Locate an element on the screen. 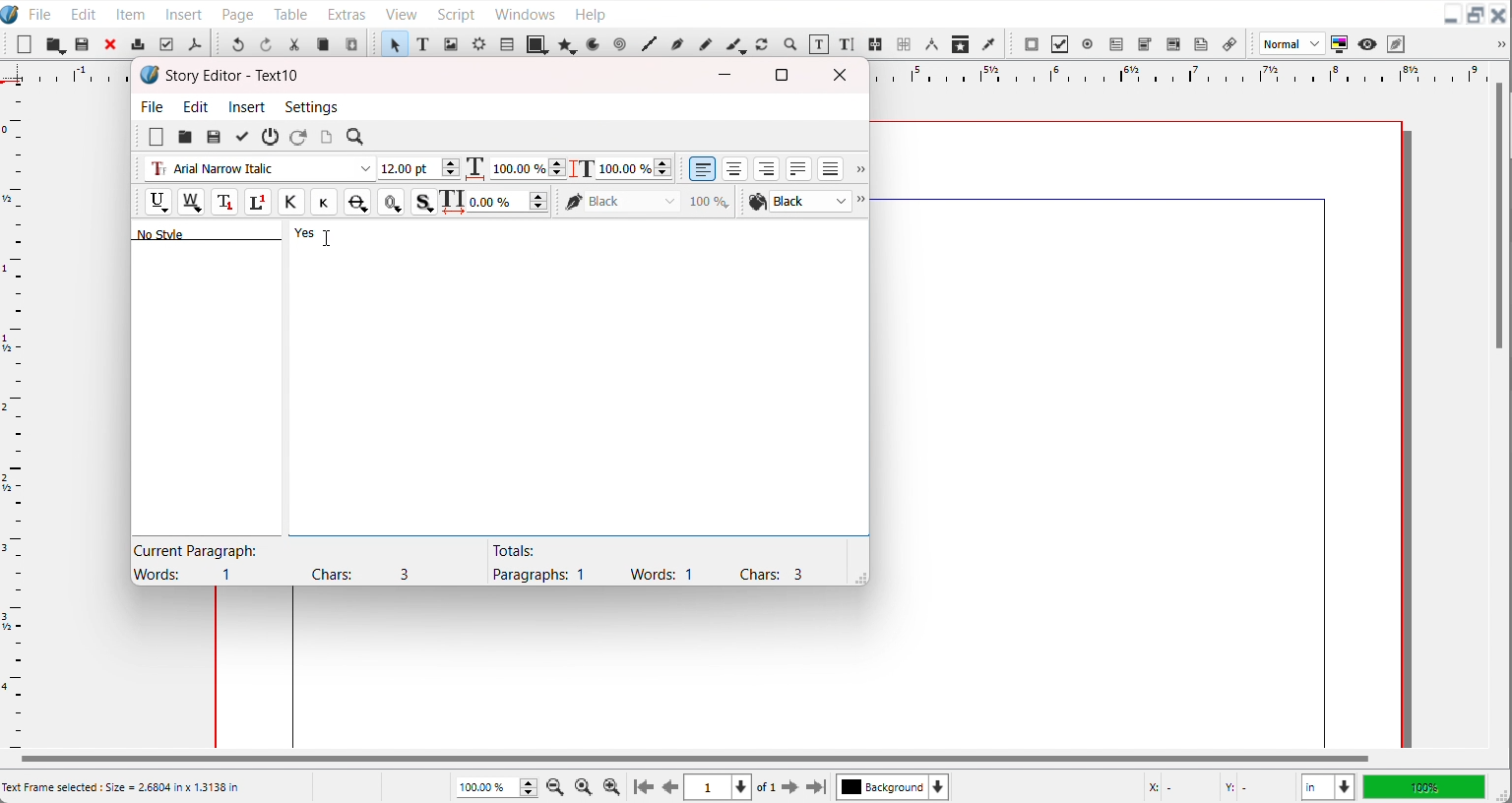  Image Frame is located at coordinates (451, 43).